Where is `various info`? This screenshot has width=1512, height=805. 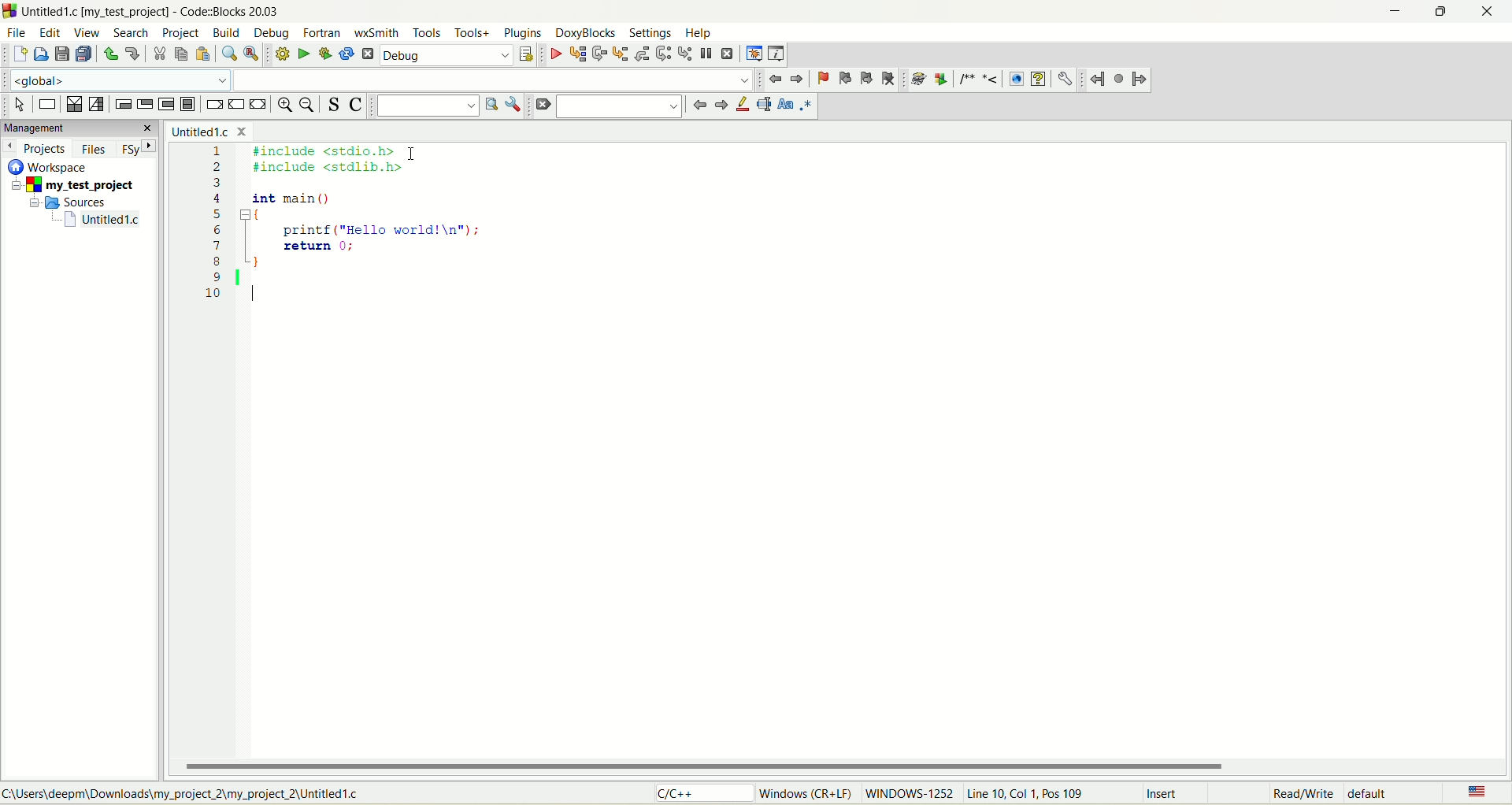 various info is located at coordinates (778, 53).